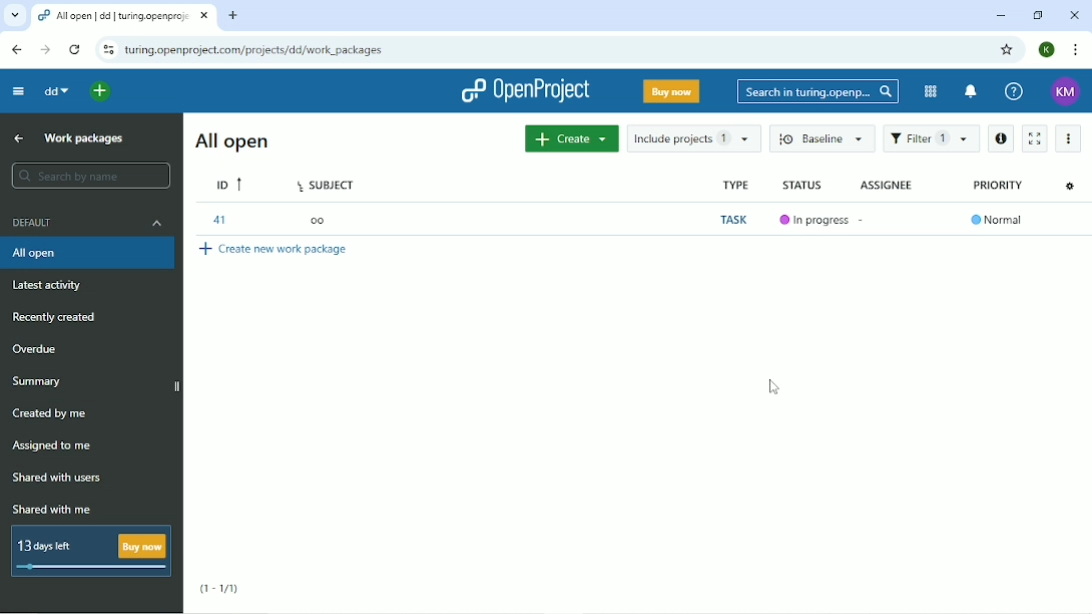  What do you see at coordinates (53, 508) in the screenshot?
I see `Shared with me` at bounding box center [53, 508].